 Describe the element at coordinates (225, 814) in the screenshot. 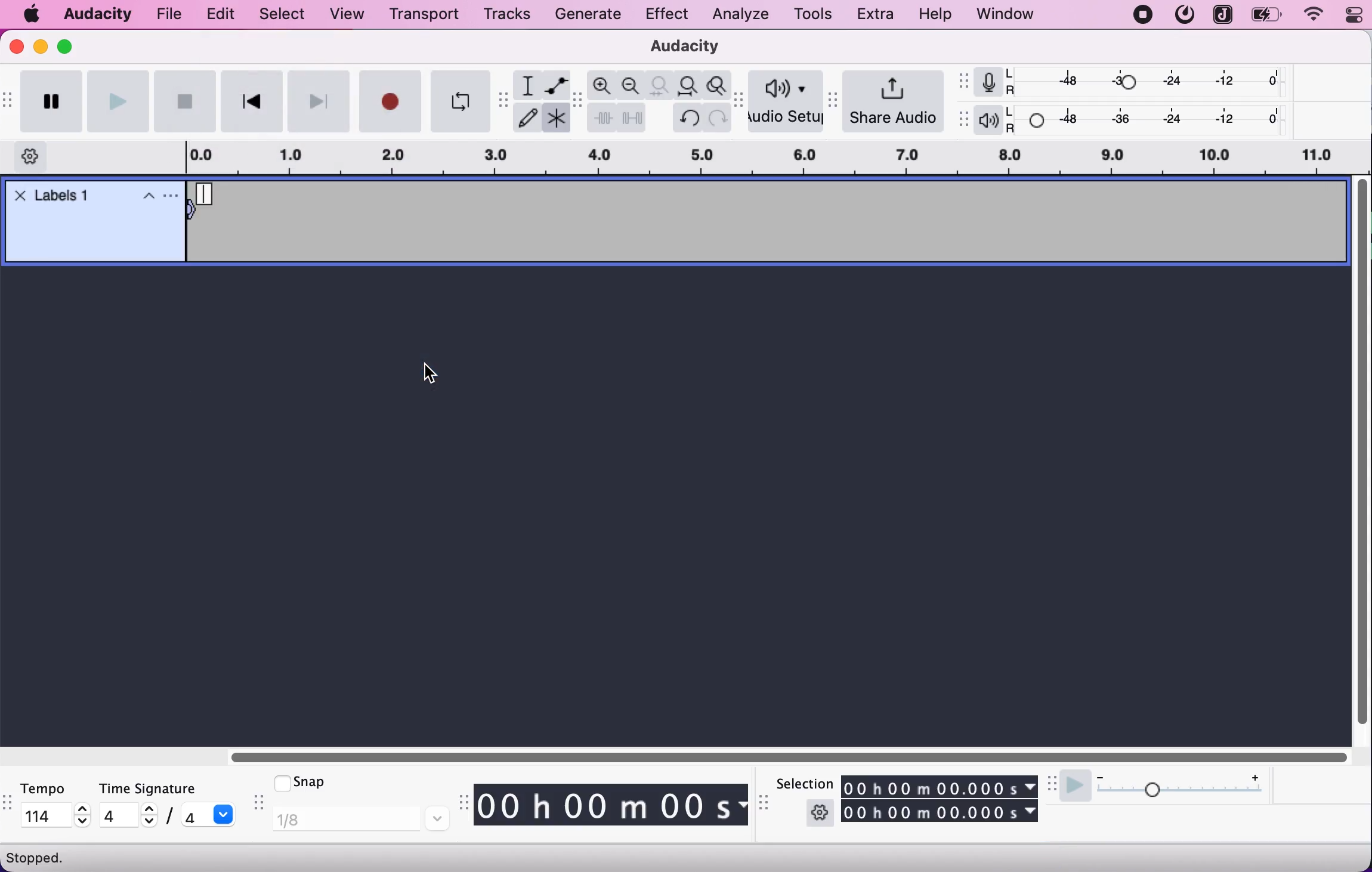

I see `dropdown` at that location.